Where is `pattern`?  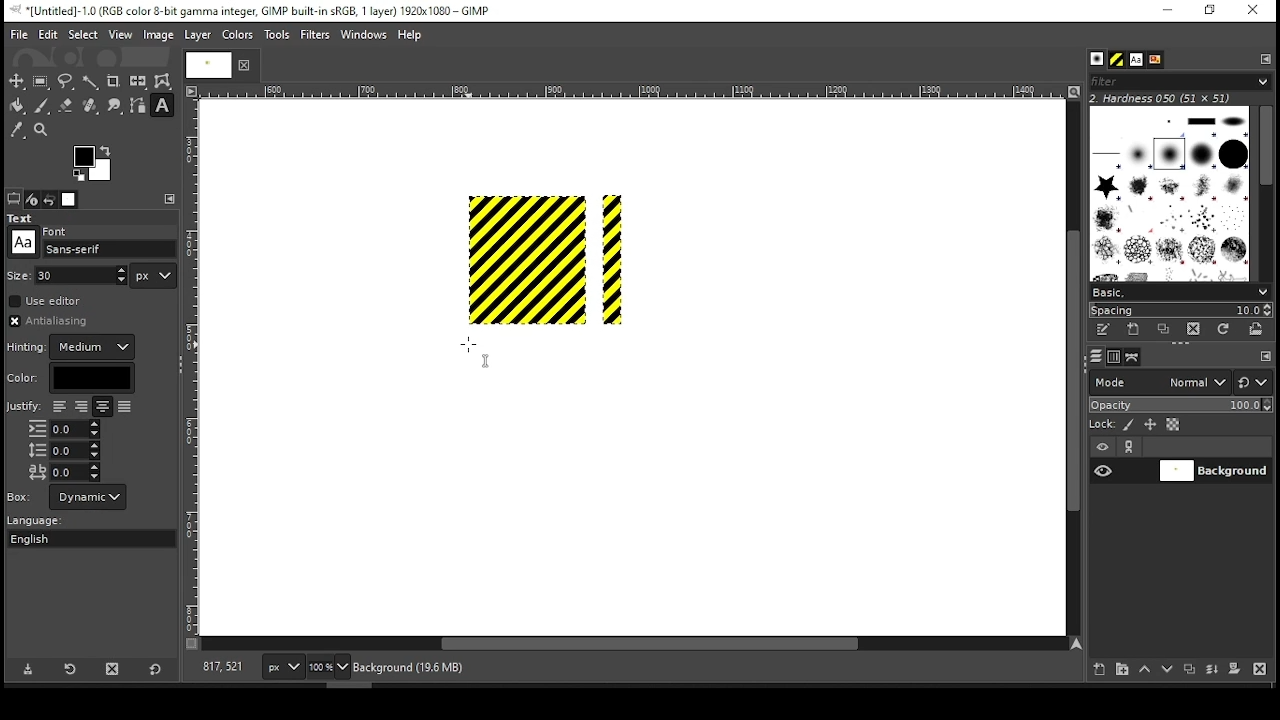
pattern is located at coordinates (1117, 60).